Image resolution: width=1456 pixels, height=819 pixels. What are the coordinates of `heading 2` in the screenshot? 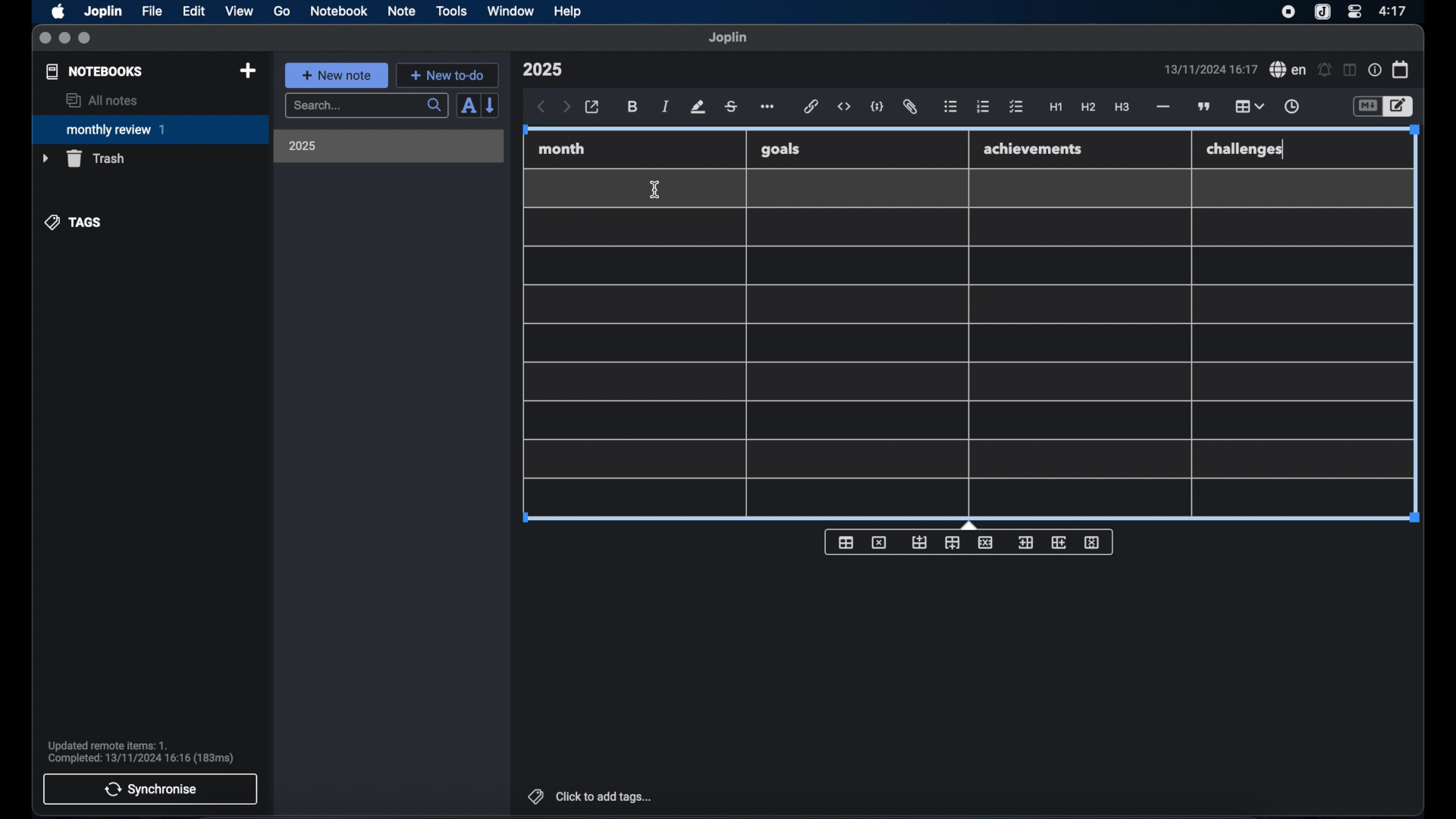 It's located at (1089, 108).